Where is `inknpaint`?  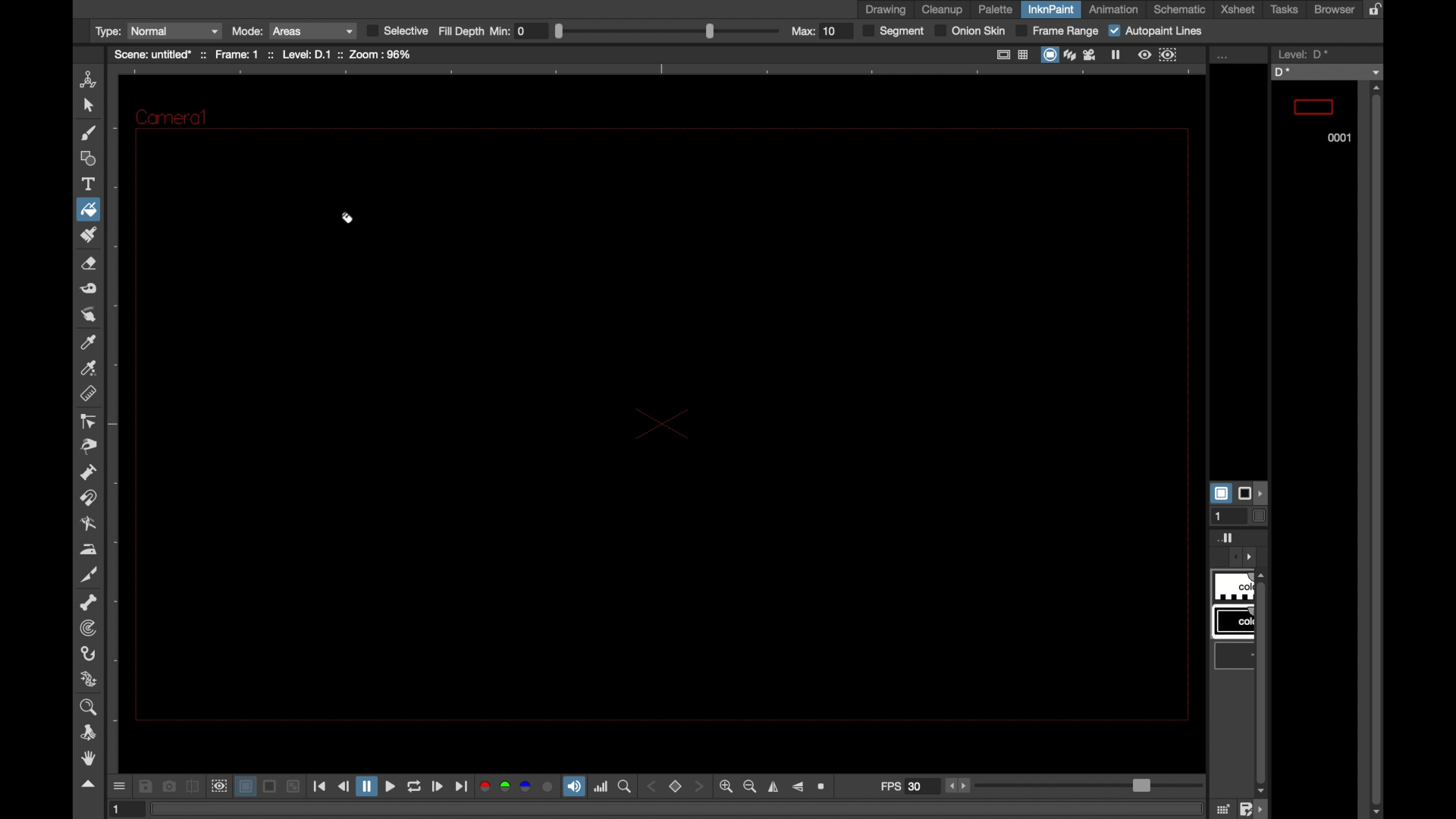 inknpaint is located at coordinates (1051, 9).